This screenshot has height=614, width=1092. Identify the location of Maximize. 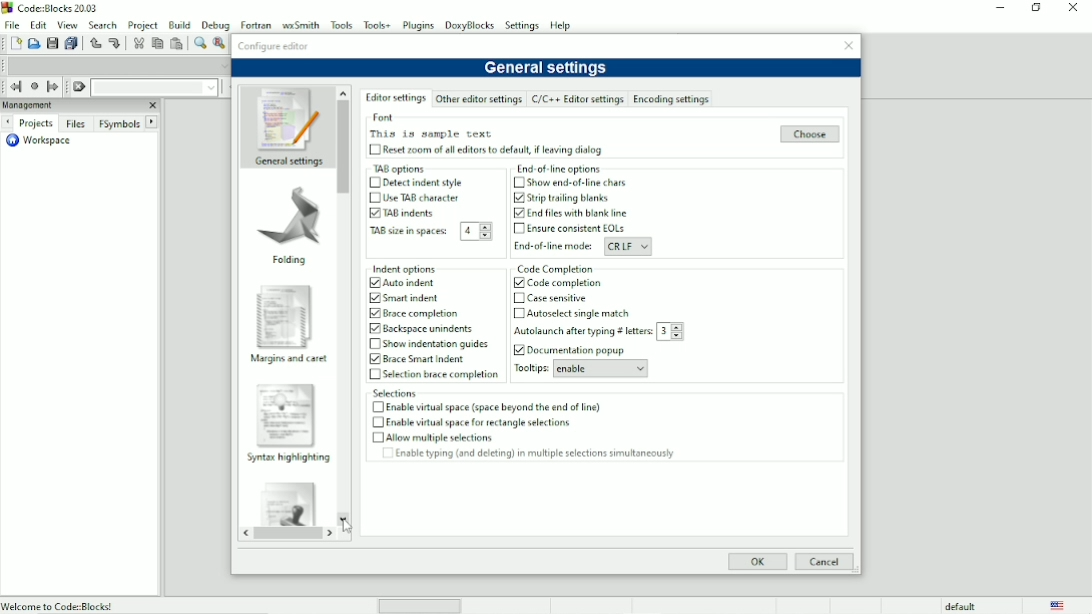
(1035, 8).